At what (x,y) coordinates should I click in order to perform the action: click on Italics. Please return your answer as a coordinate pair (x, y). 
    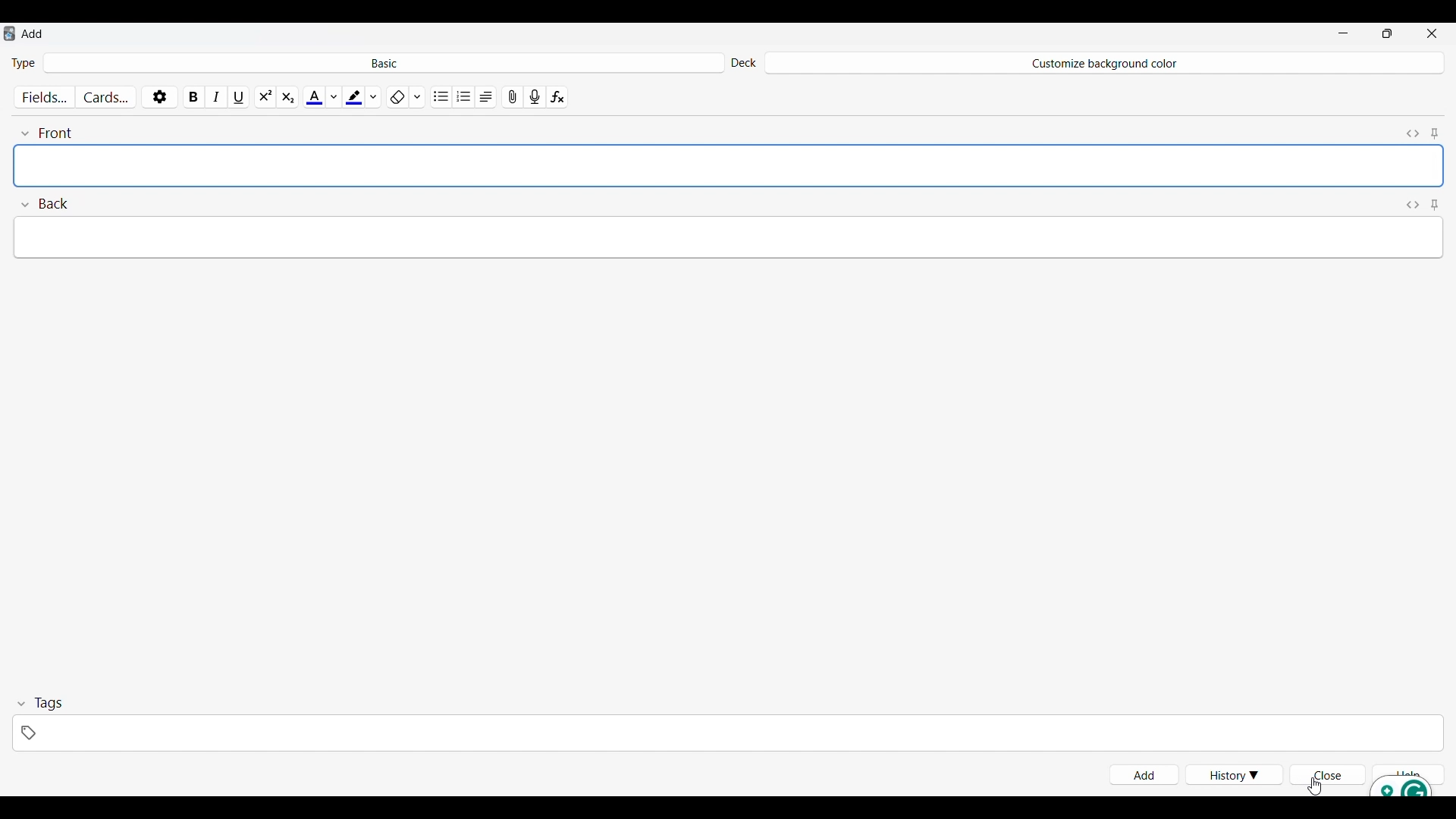
    Looking at the image, I should click on (217, 95).